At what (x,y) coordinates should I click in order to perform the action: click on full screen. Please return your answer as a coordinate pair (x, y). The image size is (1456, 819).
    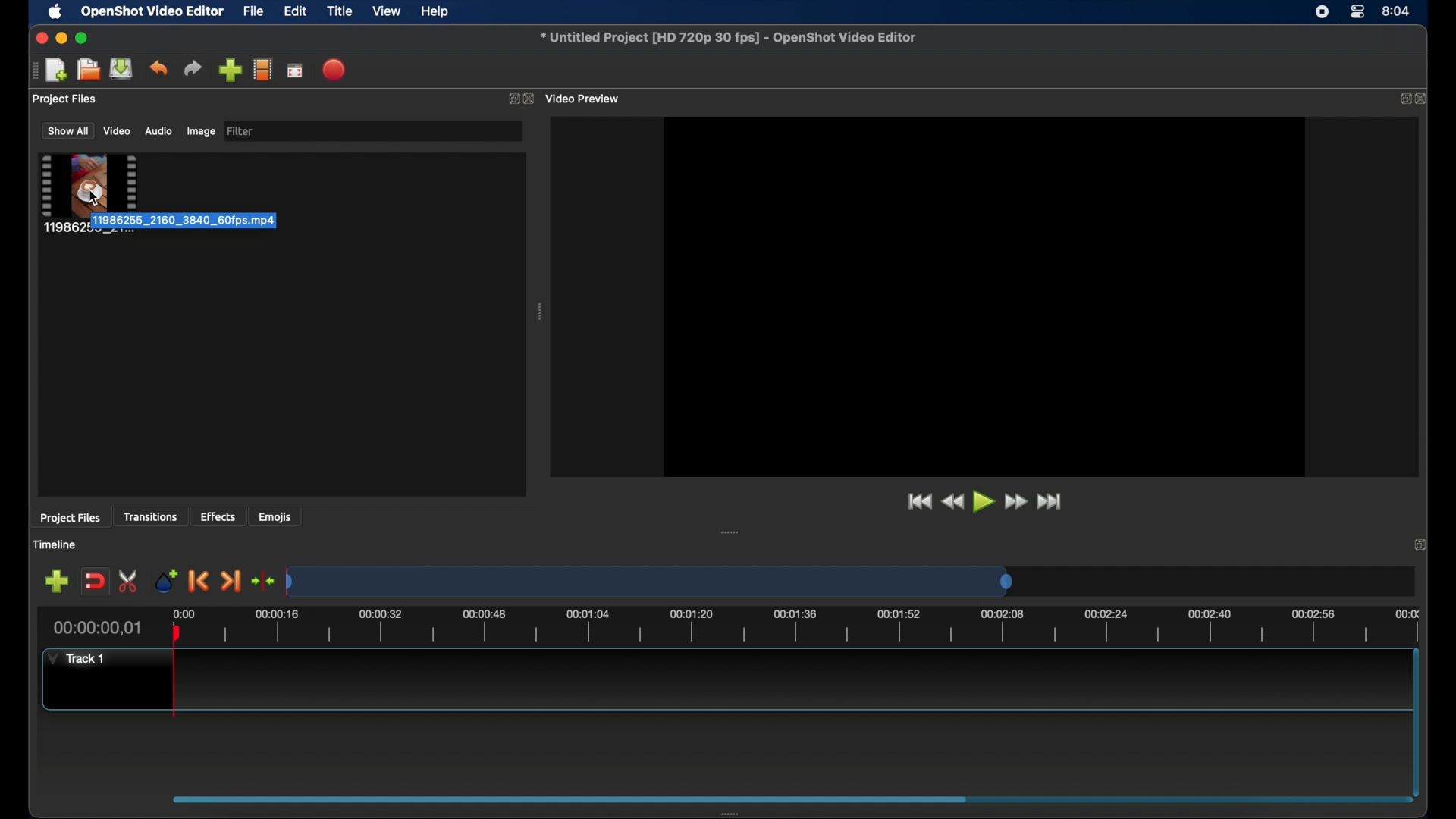
    Looking at the image, I should click on (295, 69).